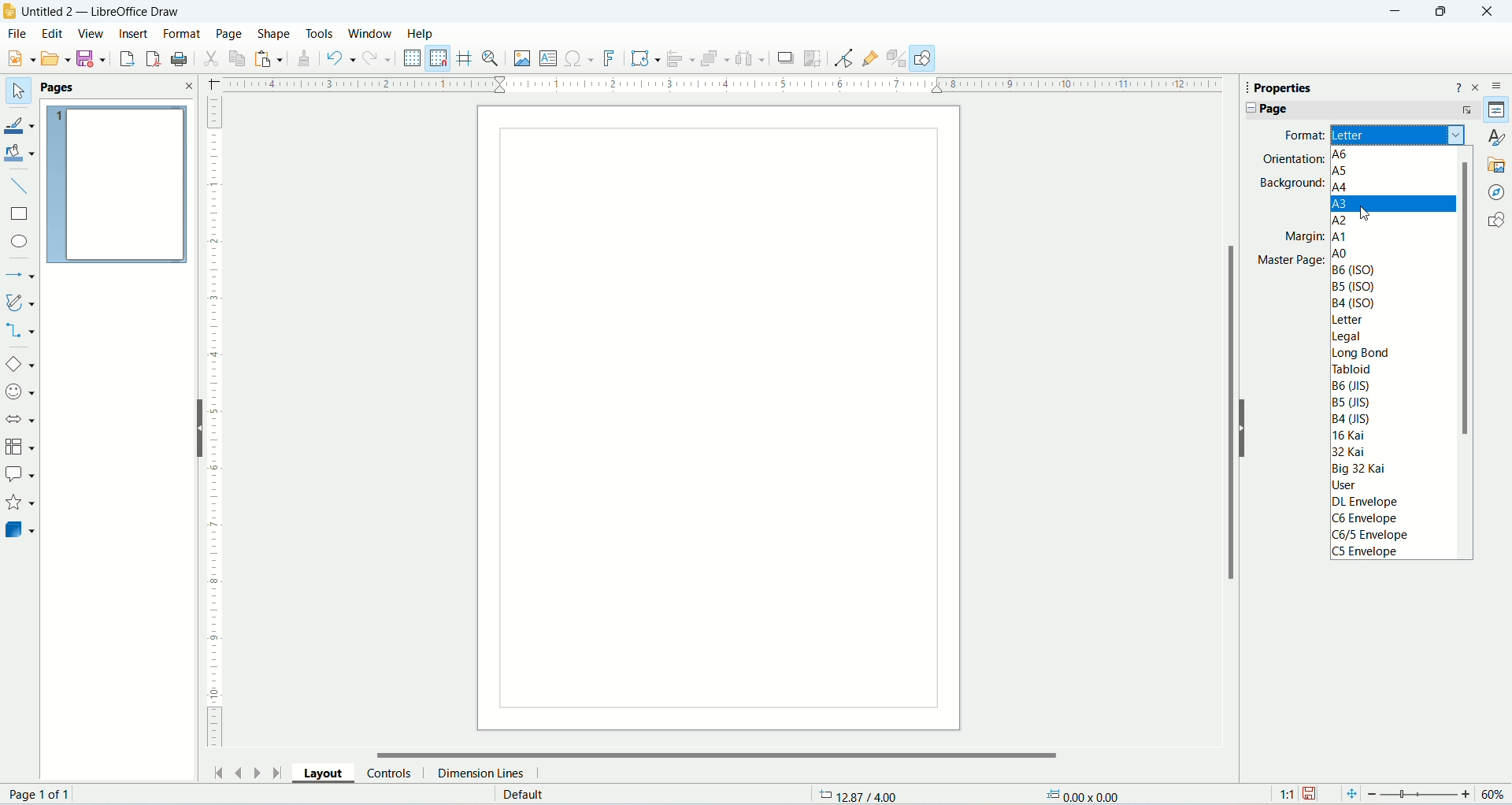 The image size is (1512, 805). What do you see at coordinates (715, 60) in the screenshot?
I see `arrange` at bounding box center [715, 60].